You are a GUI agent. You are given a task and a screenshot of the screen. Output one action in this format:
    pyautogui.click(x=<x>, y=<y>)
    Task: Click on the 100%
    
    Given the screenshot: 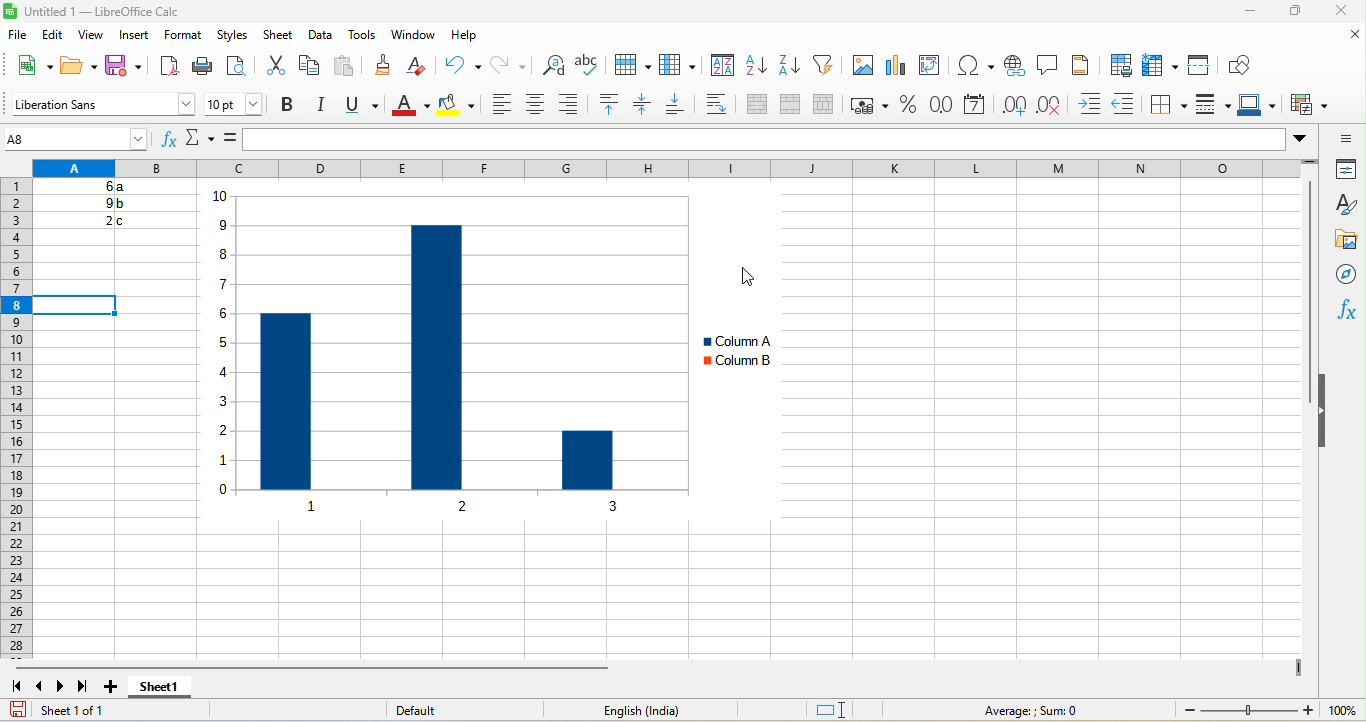 What is the action you would take?
    pyautogui.click(x=1342, y=711)
    